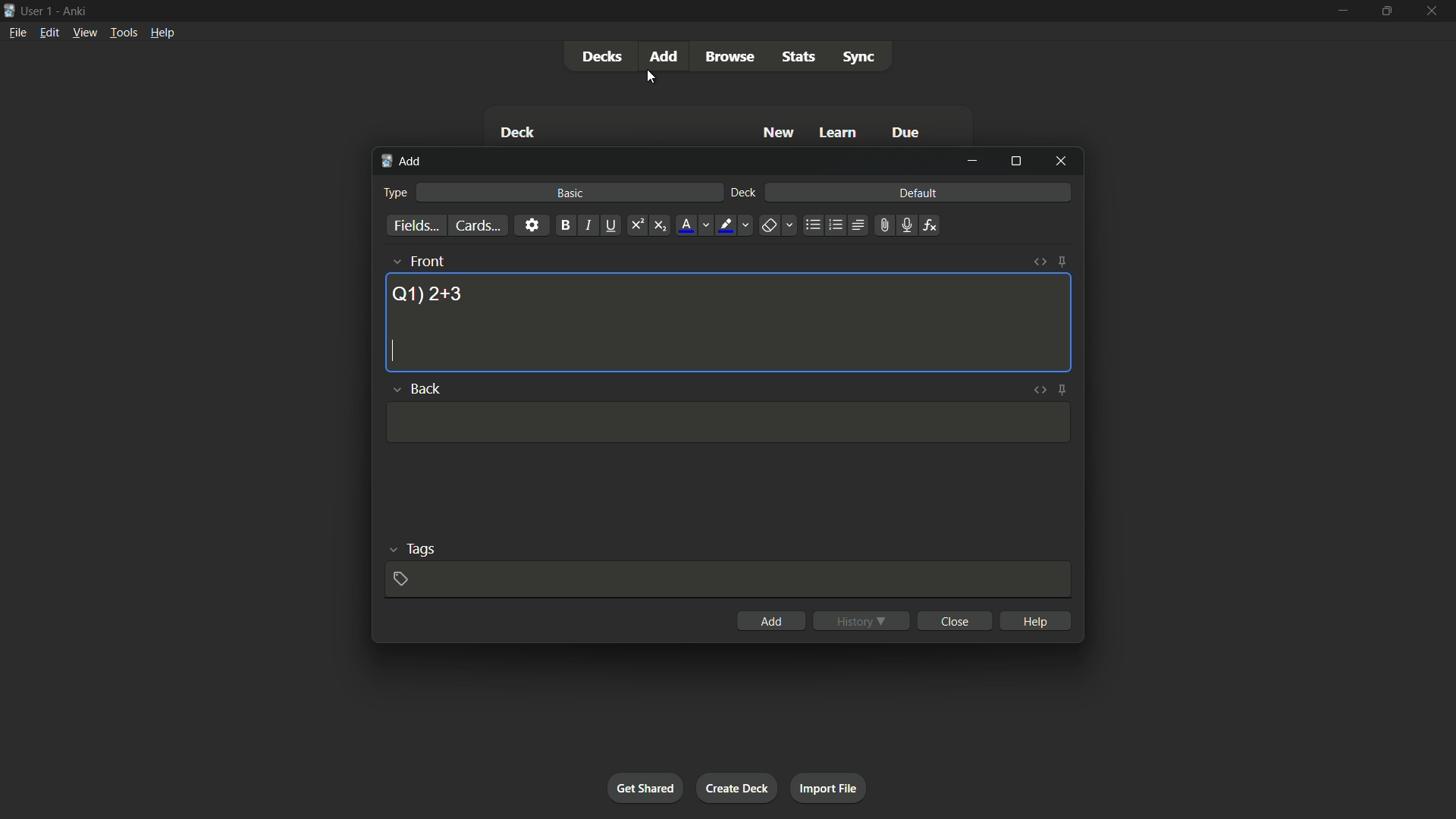  What do you see at coordinates (1341, 10) in the screenshot?
I see `minimize` at bounding box center [1341, 10].